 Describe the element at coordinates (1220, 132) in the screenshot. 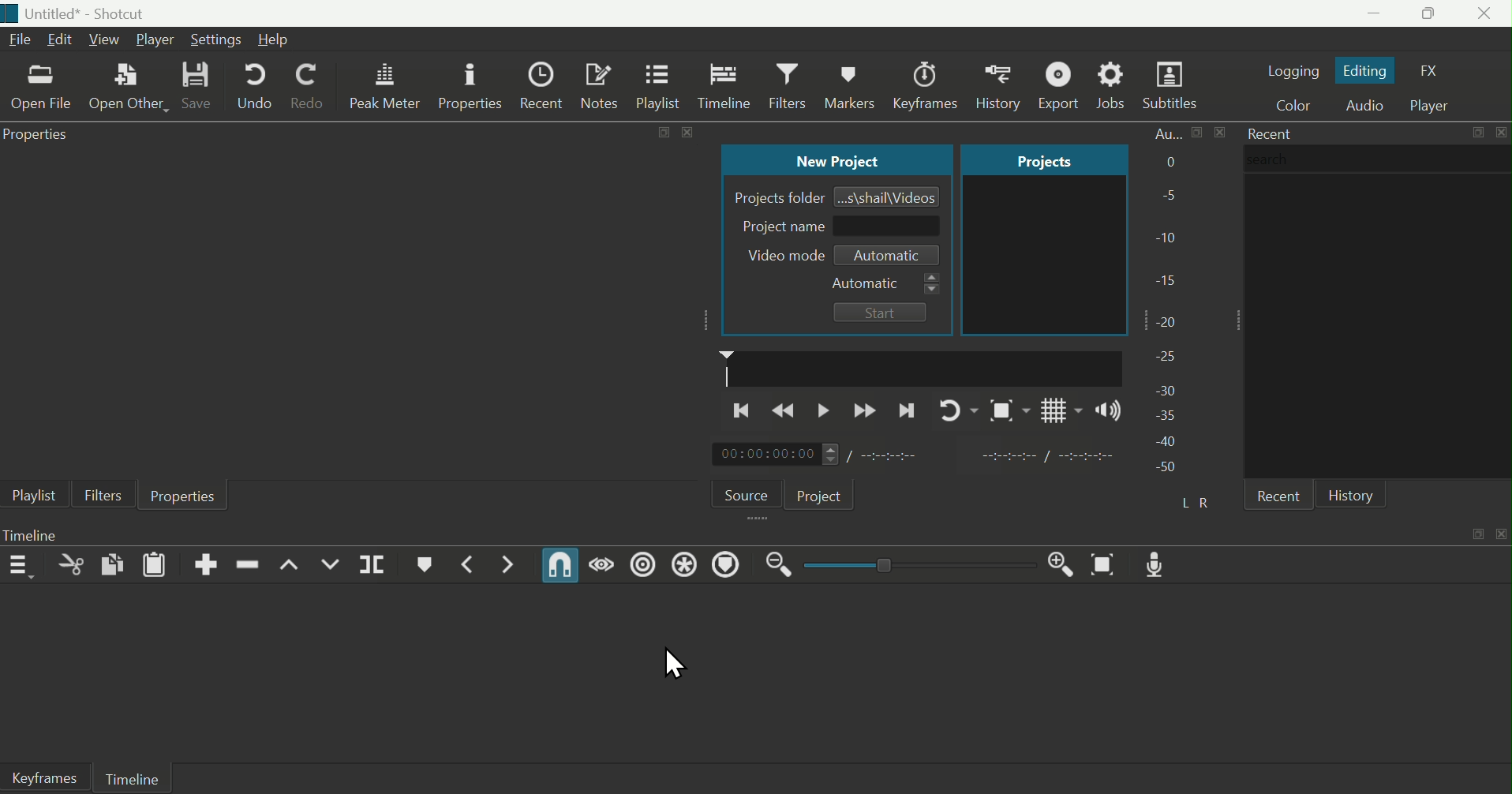

I see `close` at that location.